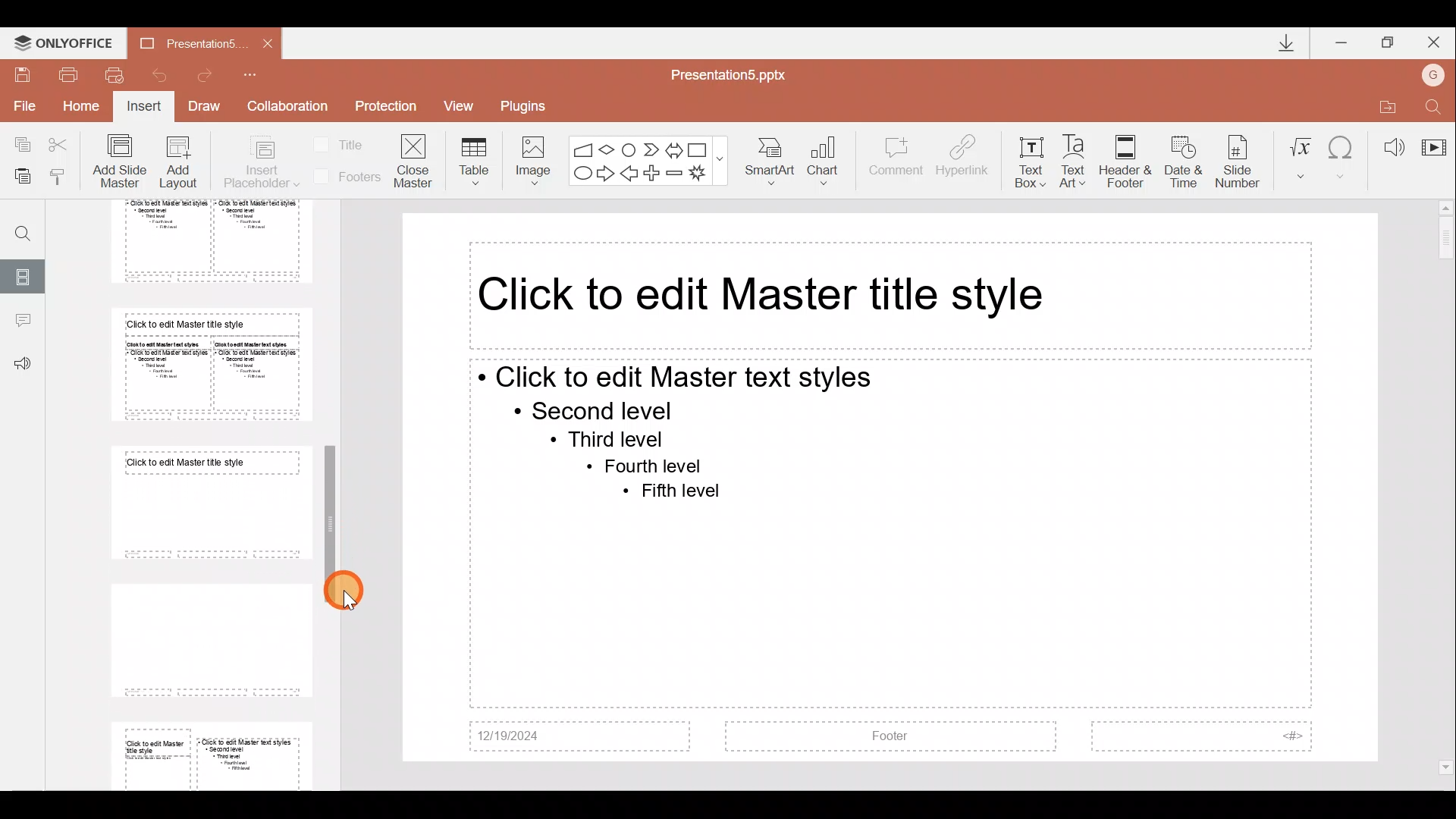 This screenshot has width=1456, height=819. Describe the element at coordinates (582, 147) in the screenshot. I see `Flowchart - manual input` at that location.